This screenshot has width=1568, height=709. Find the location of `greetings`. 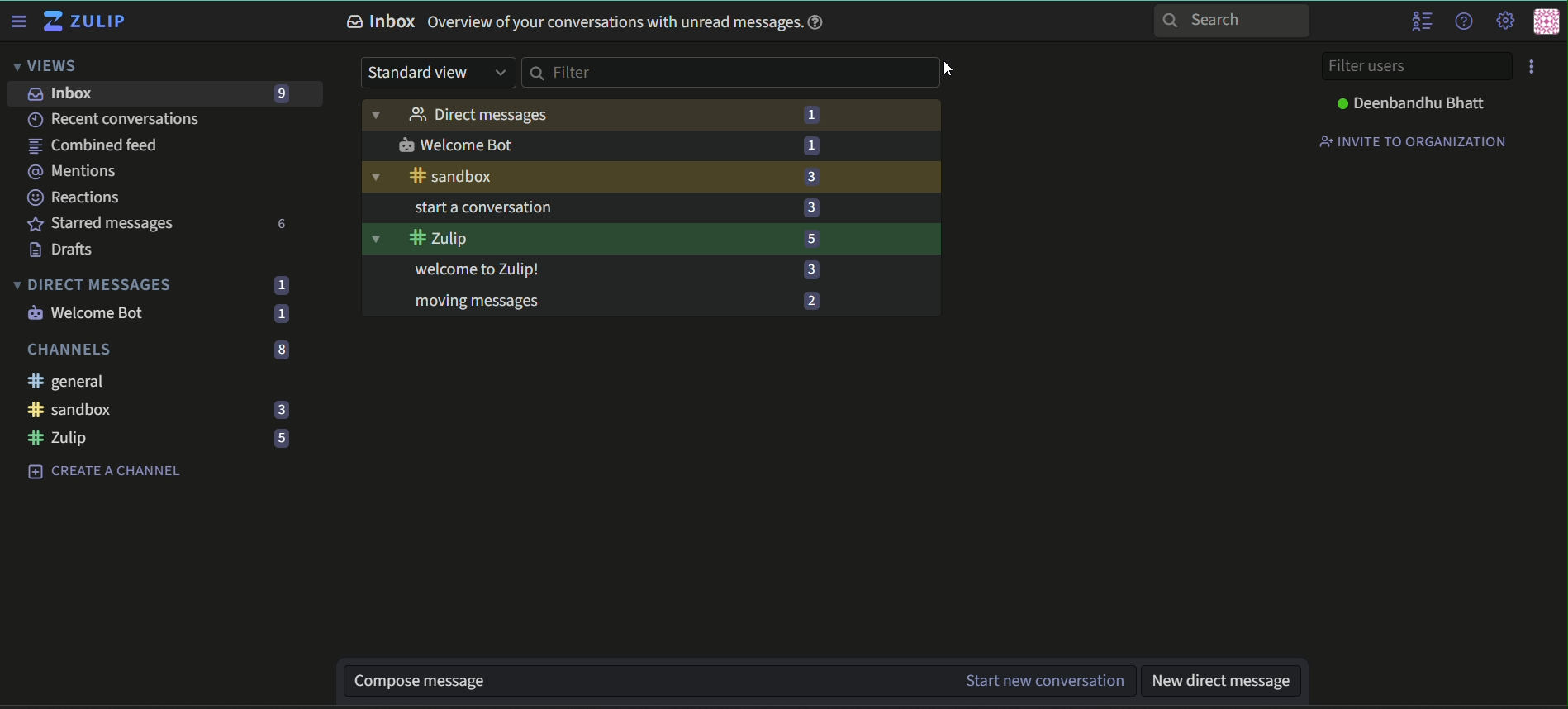

greetings is located at coordinates (590, 209).